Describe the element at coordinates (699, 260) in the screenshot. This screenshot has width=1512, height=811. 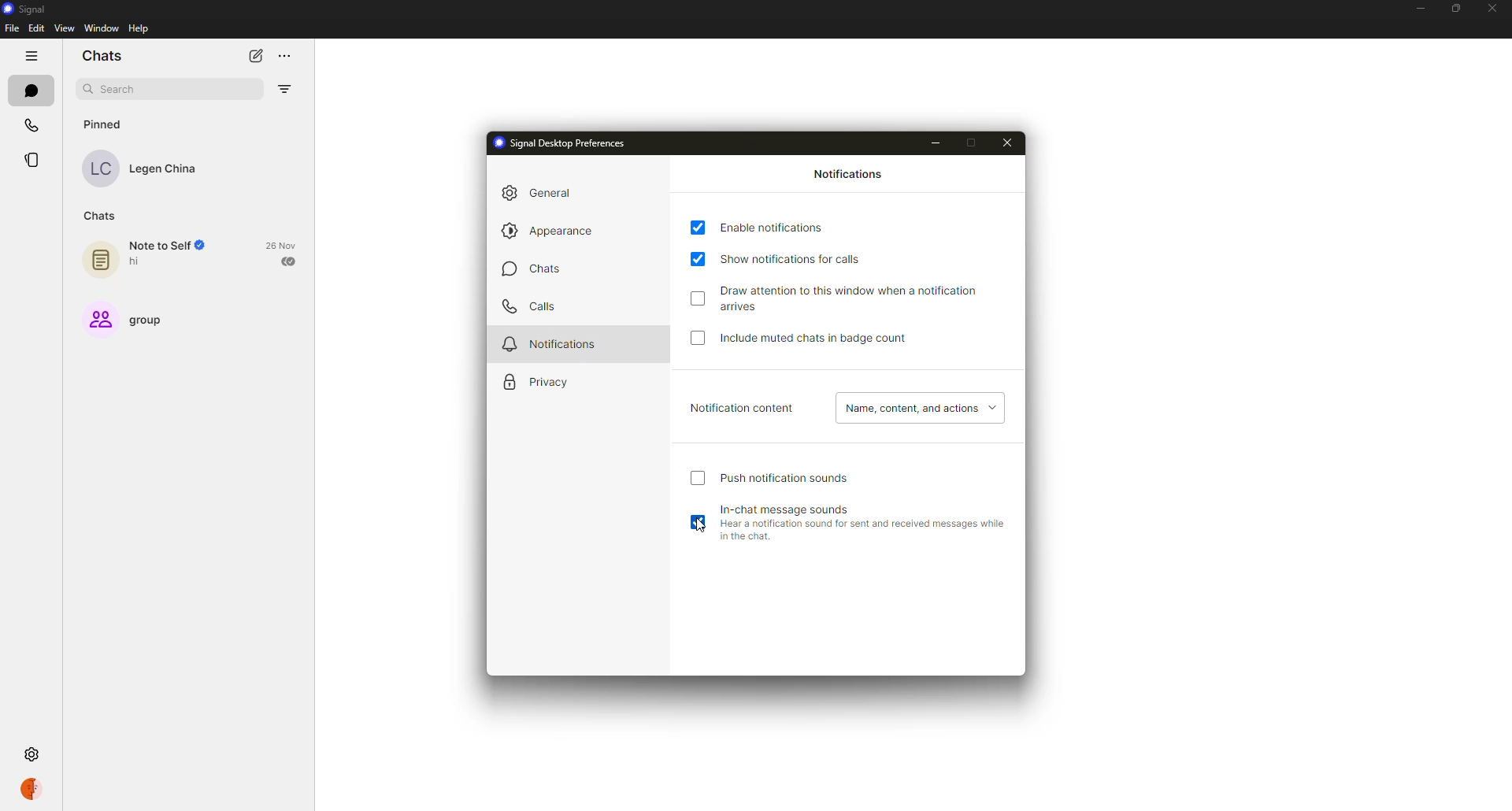
I see `enabled` at that location.